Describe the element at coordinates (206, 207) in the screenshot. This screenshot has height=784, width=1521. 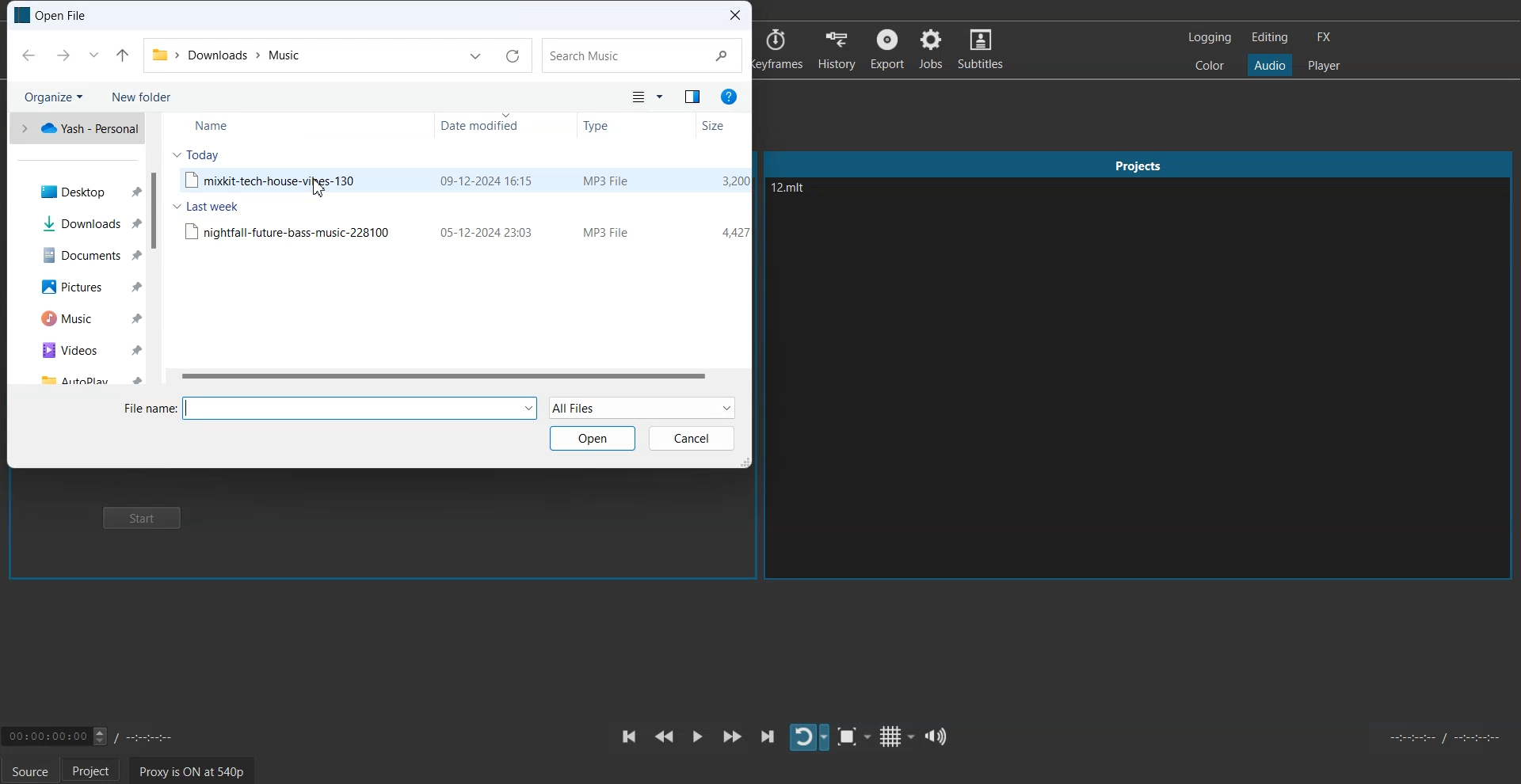
I see `Last week` at that location.